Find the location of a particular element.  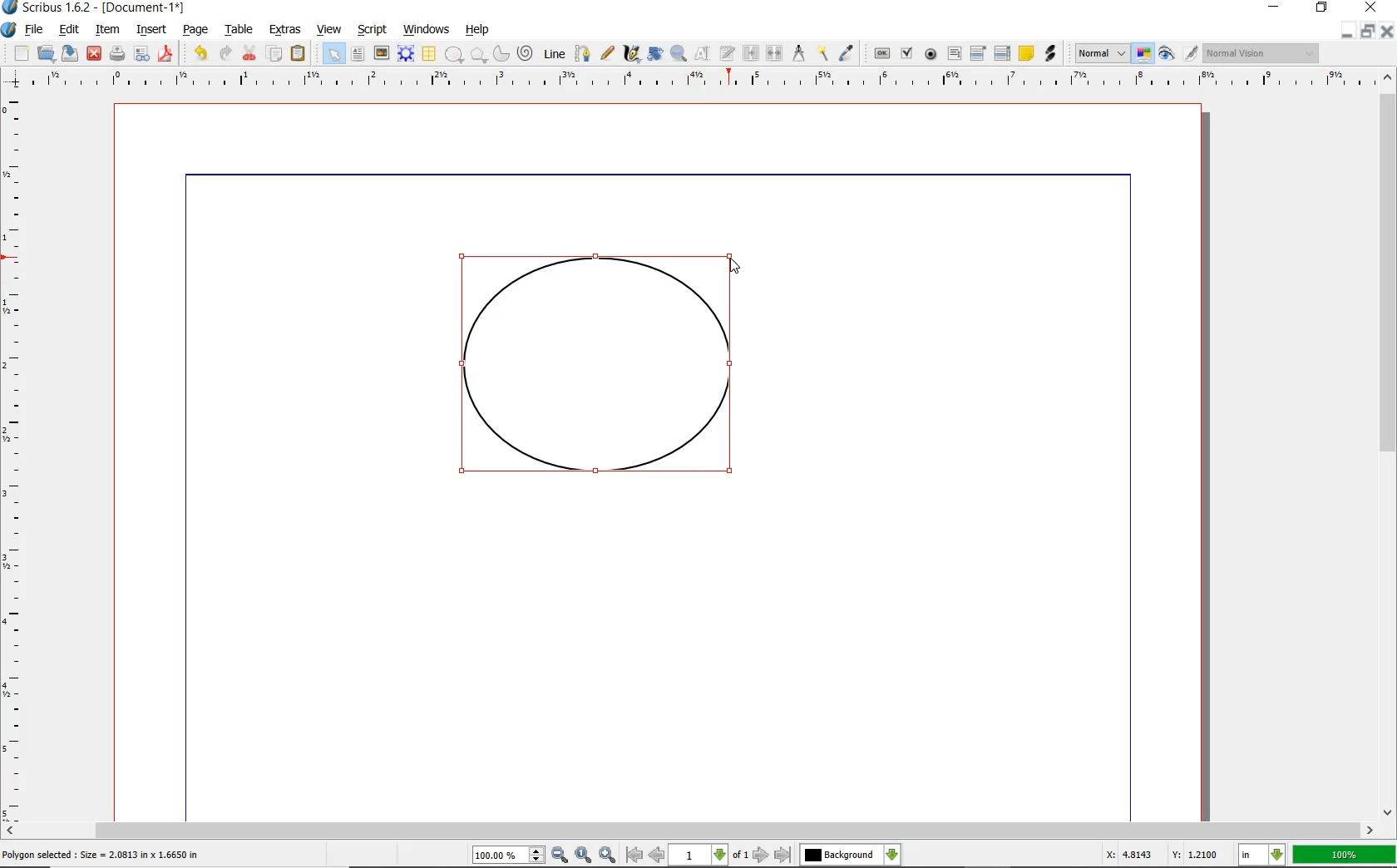

PASTE is located at coordinates (298, 55).